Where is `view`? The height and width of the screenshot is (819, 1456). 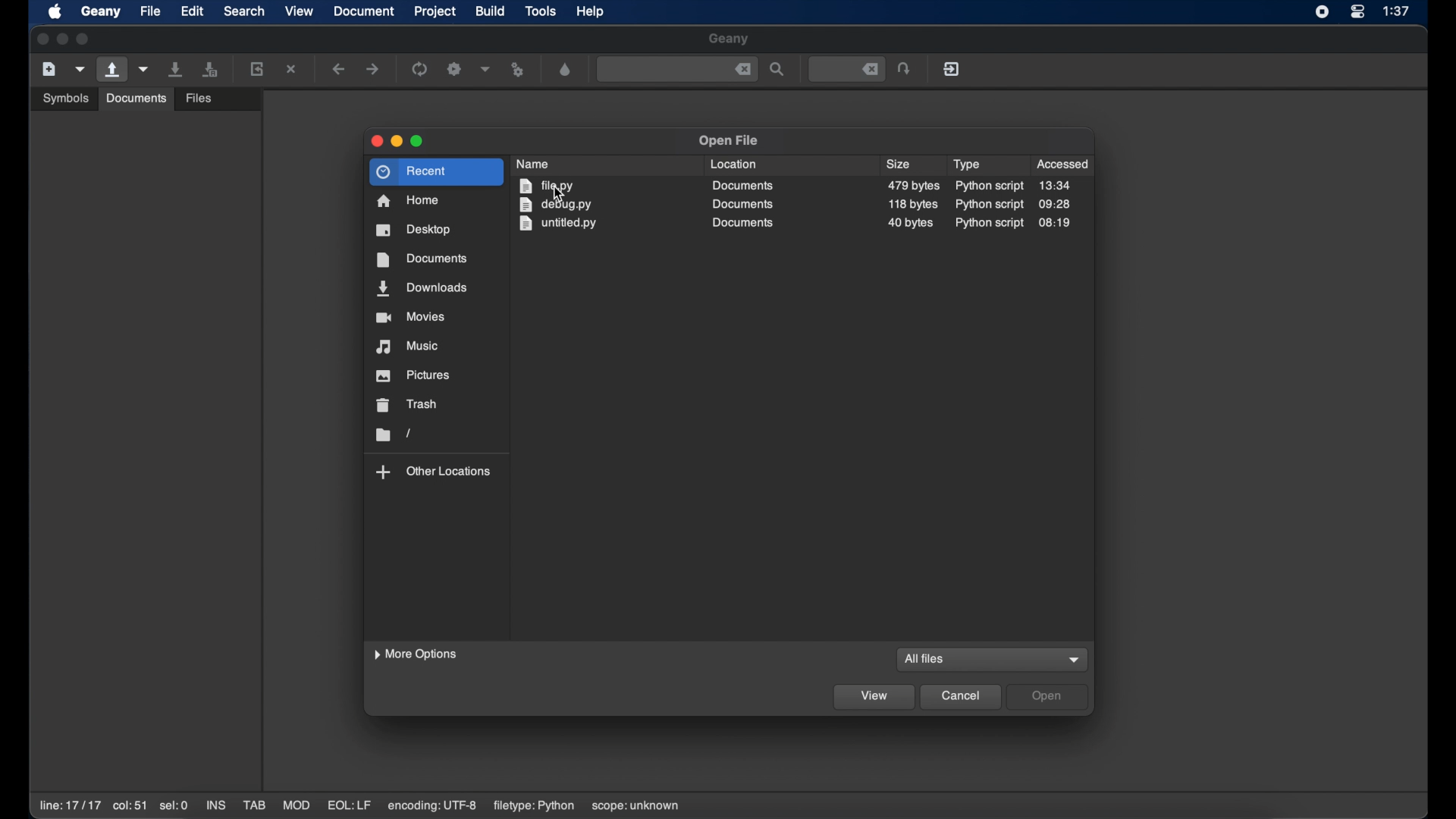 view is located at coordinates (874, 698).